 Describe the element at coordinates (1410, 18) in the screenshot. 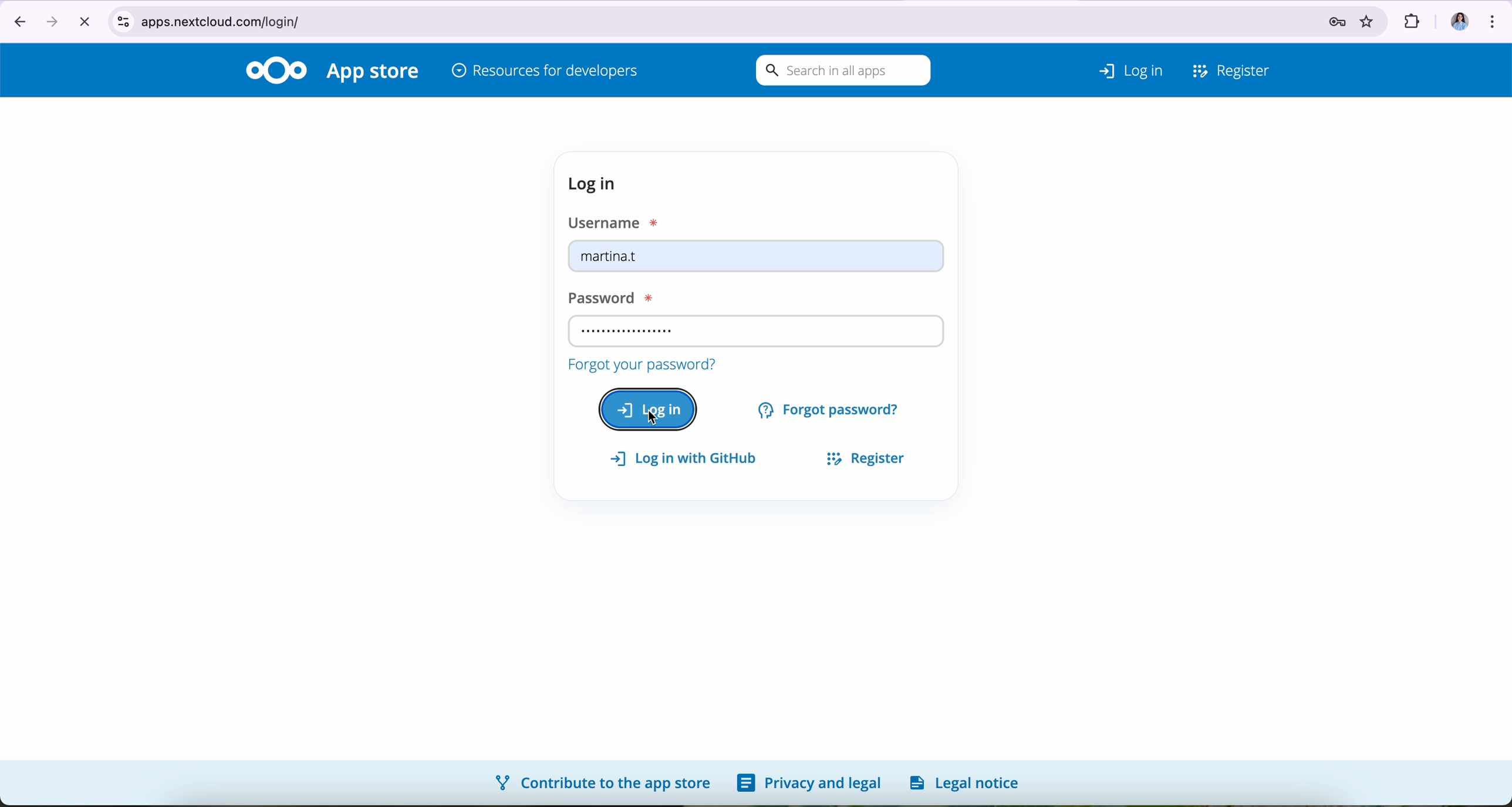

I see `extensions` at that location.